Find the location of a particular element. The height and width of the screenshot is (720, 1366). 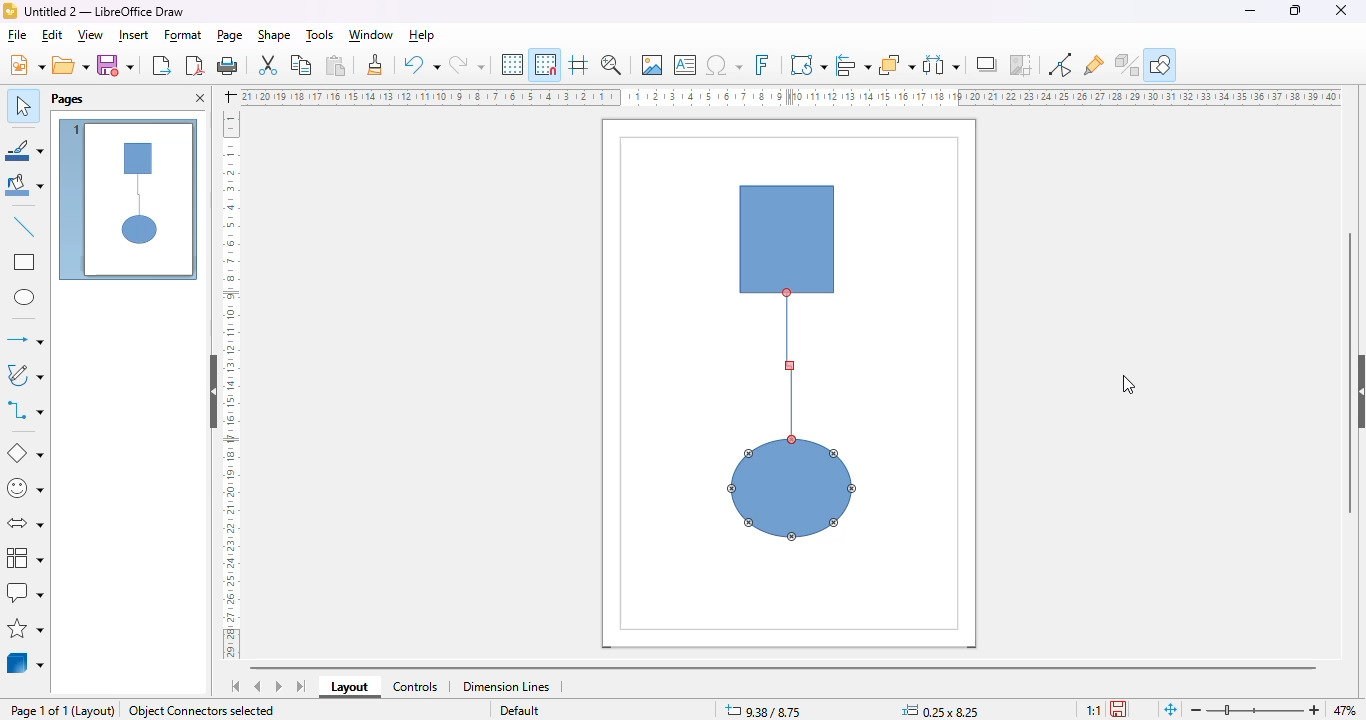

arrange is located at coordinates (897, 65).